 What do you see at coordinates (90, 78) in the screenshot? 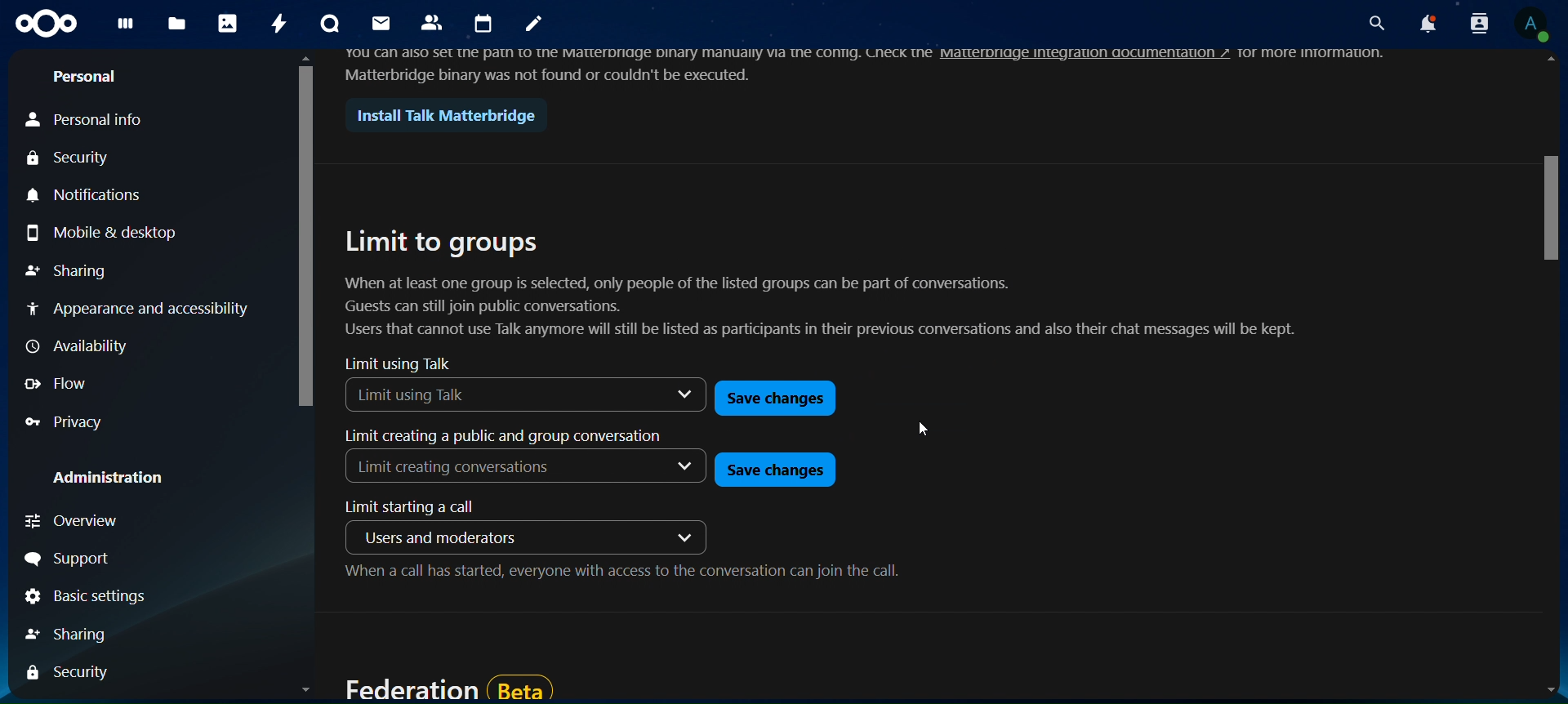
I see `personal` at bounding box center [90, 78].